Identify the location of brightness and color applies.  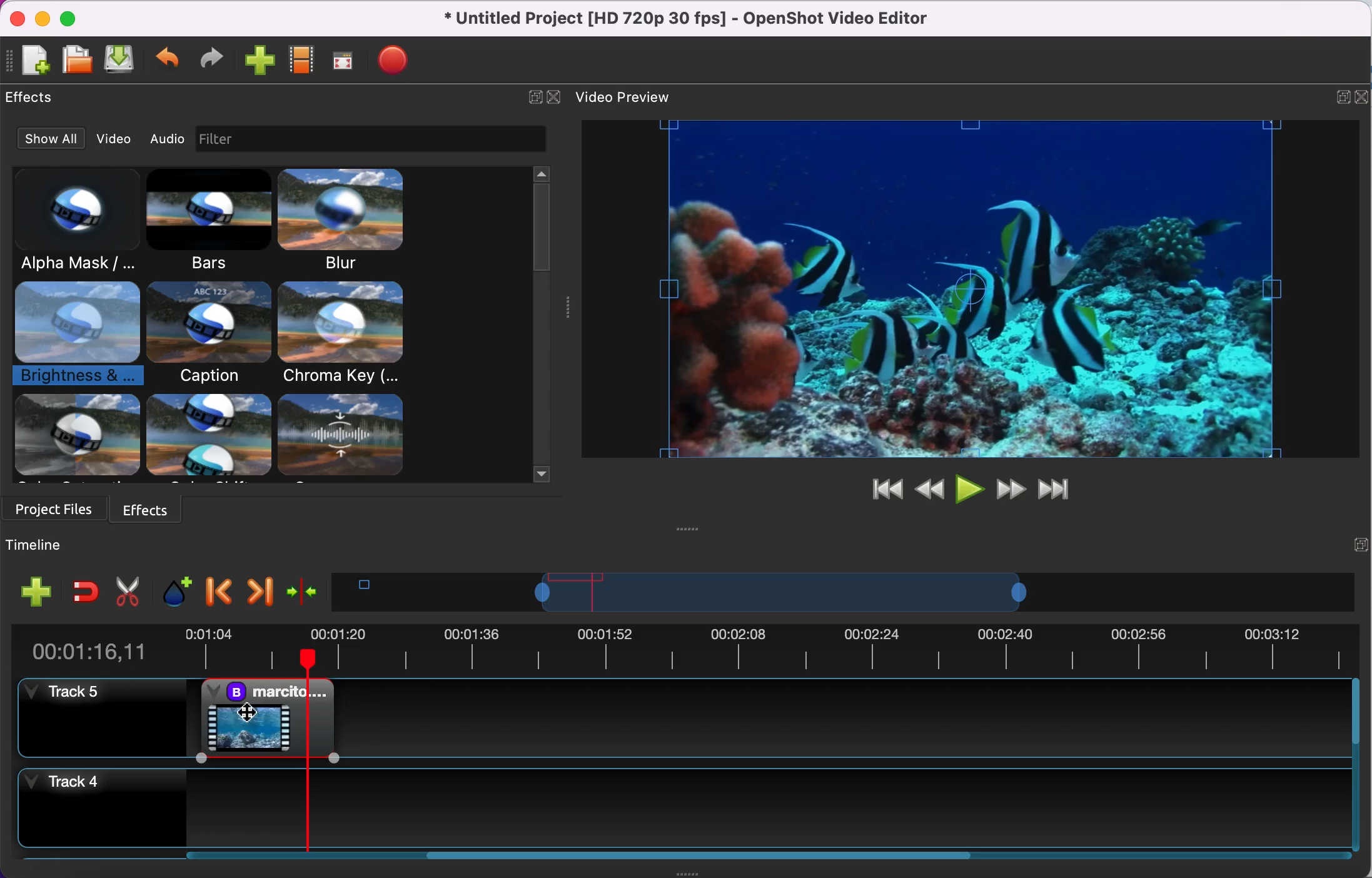
(273, 717).